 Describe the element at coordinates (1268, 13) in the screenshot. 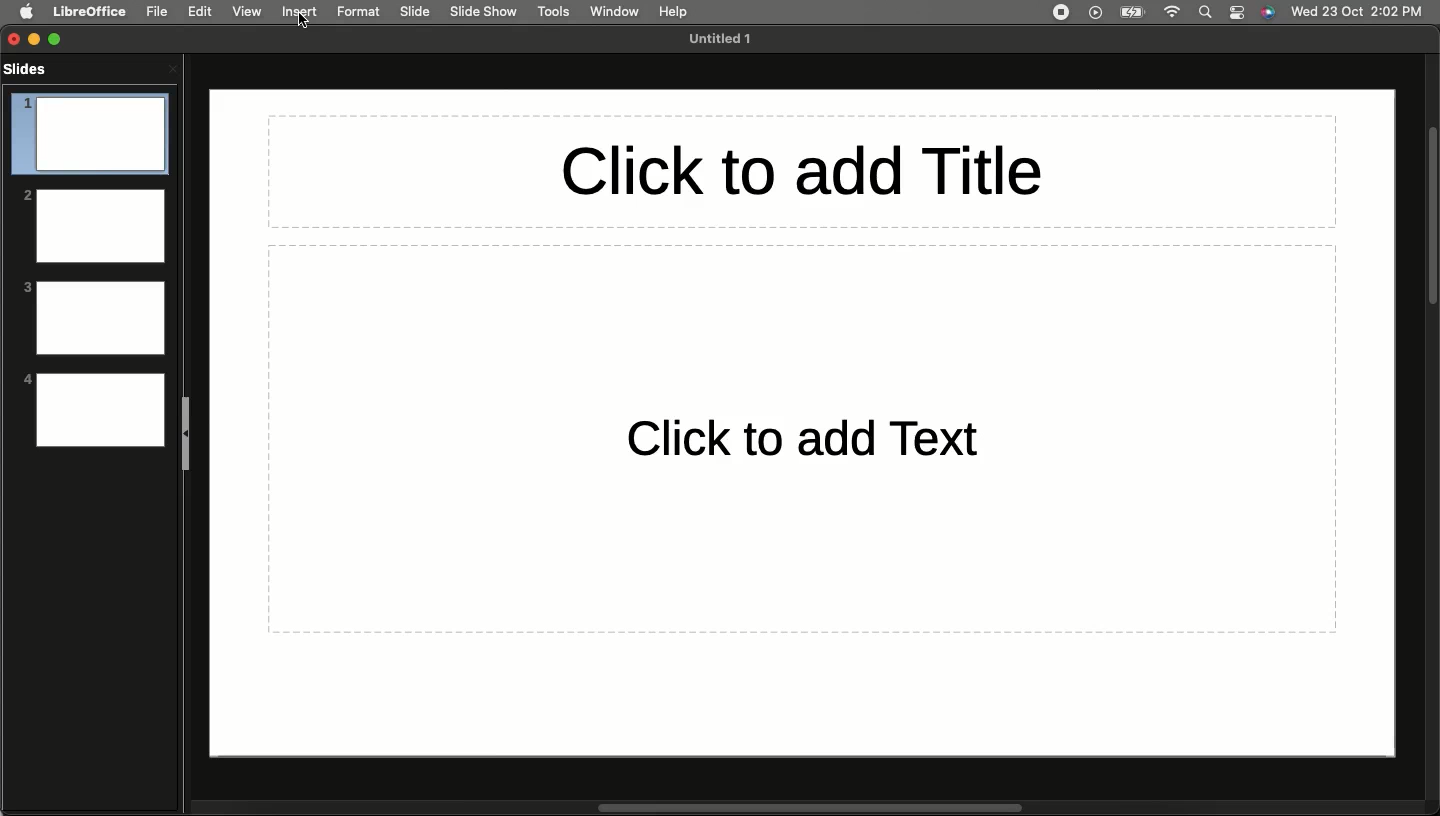

I see `Voice control` at that location.